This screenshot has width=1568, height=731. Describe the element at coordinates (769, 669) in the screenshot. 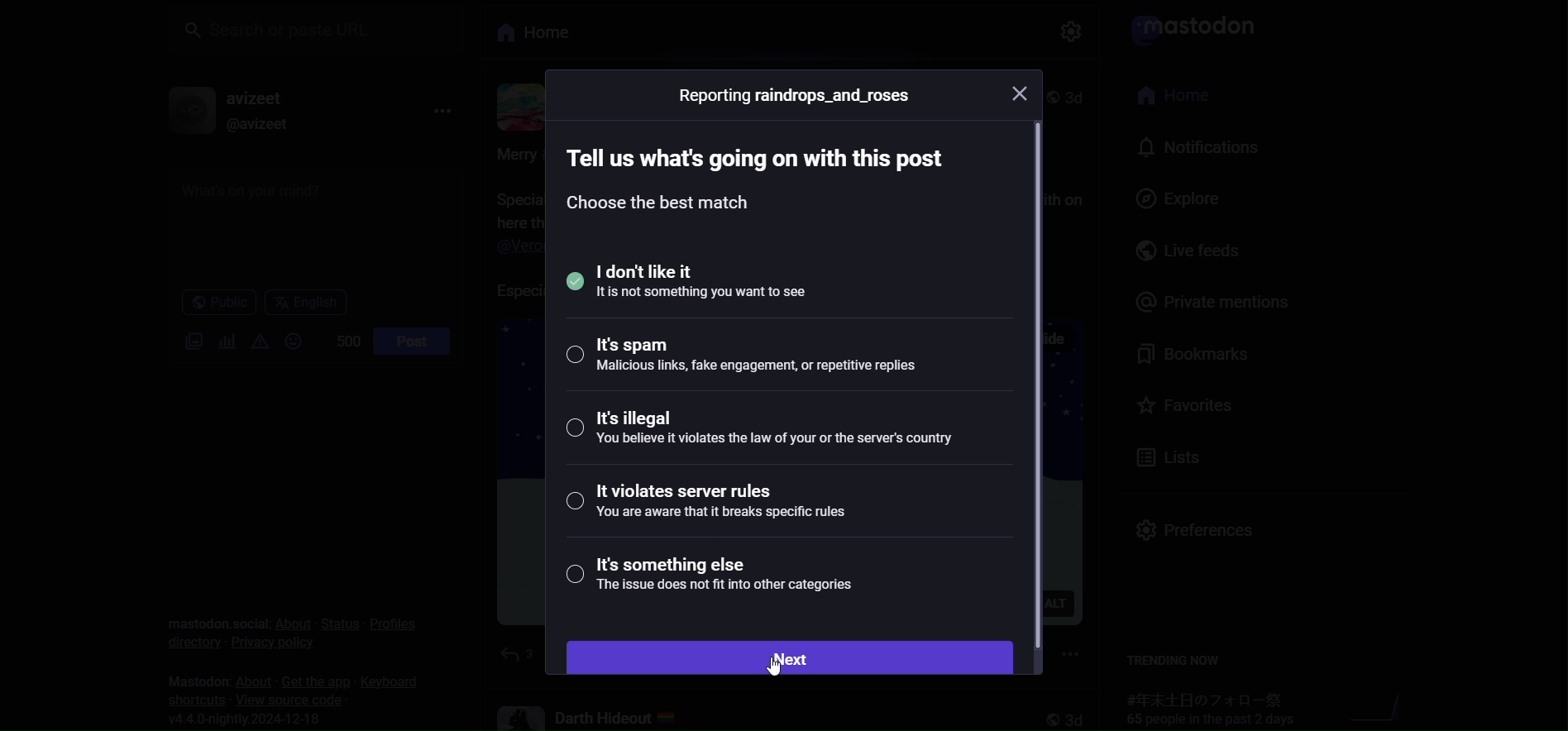

I see `cursor` at that location.